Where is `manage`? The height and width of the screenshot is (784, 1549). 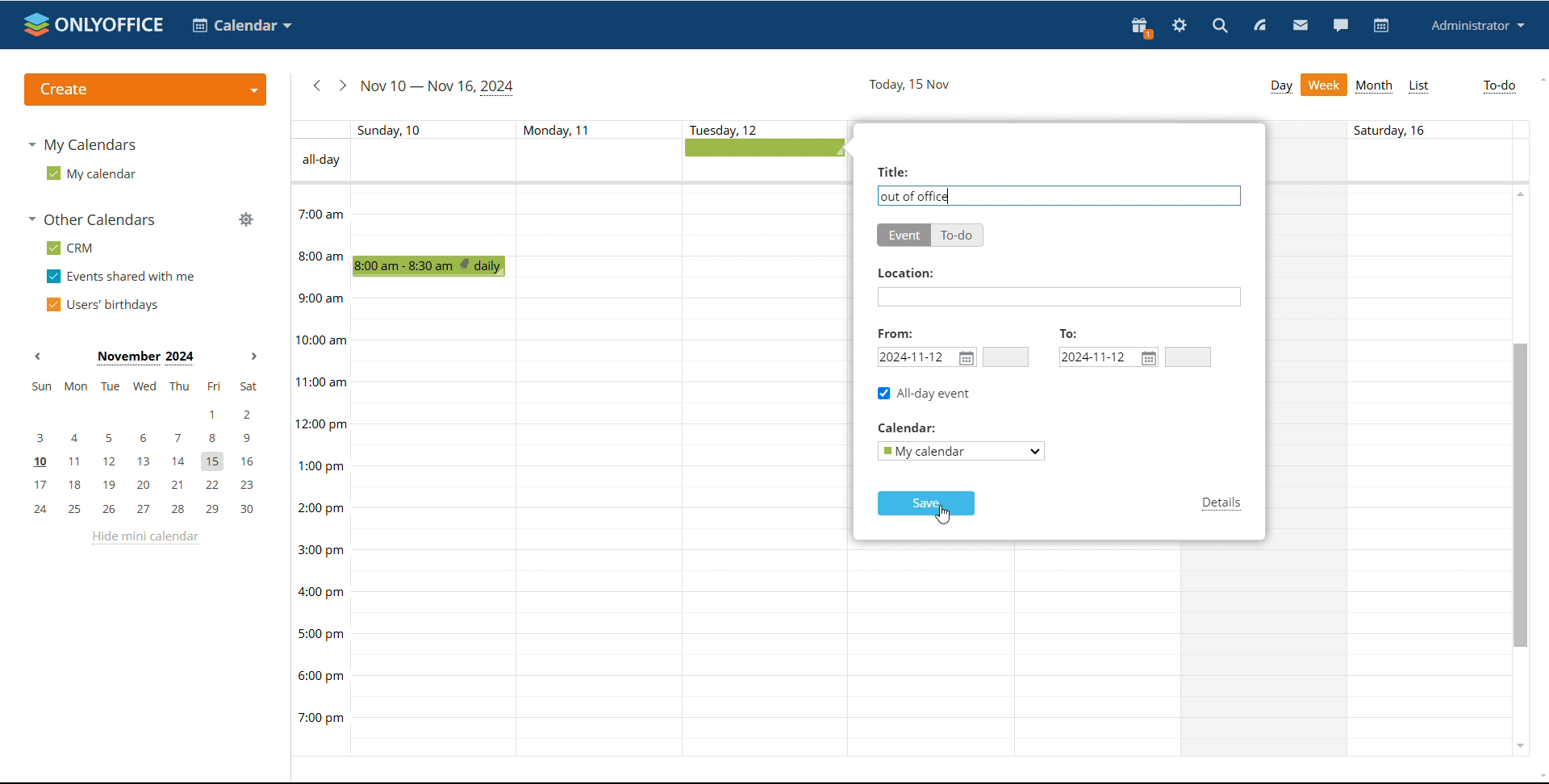 manage is located at coordinates (246, 219).